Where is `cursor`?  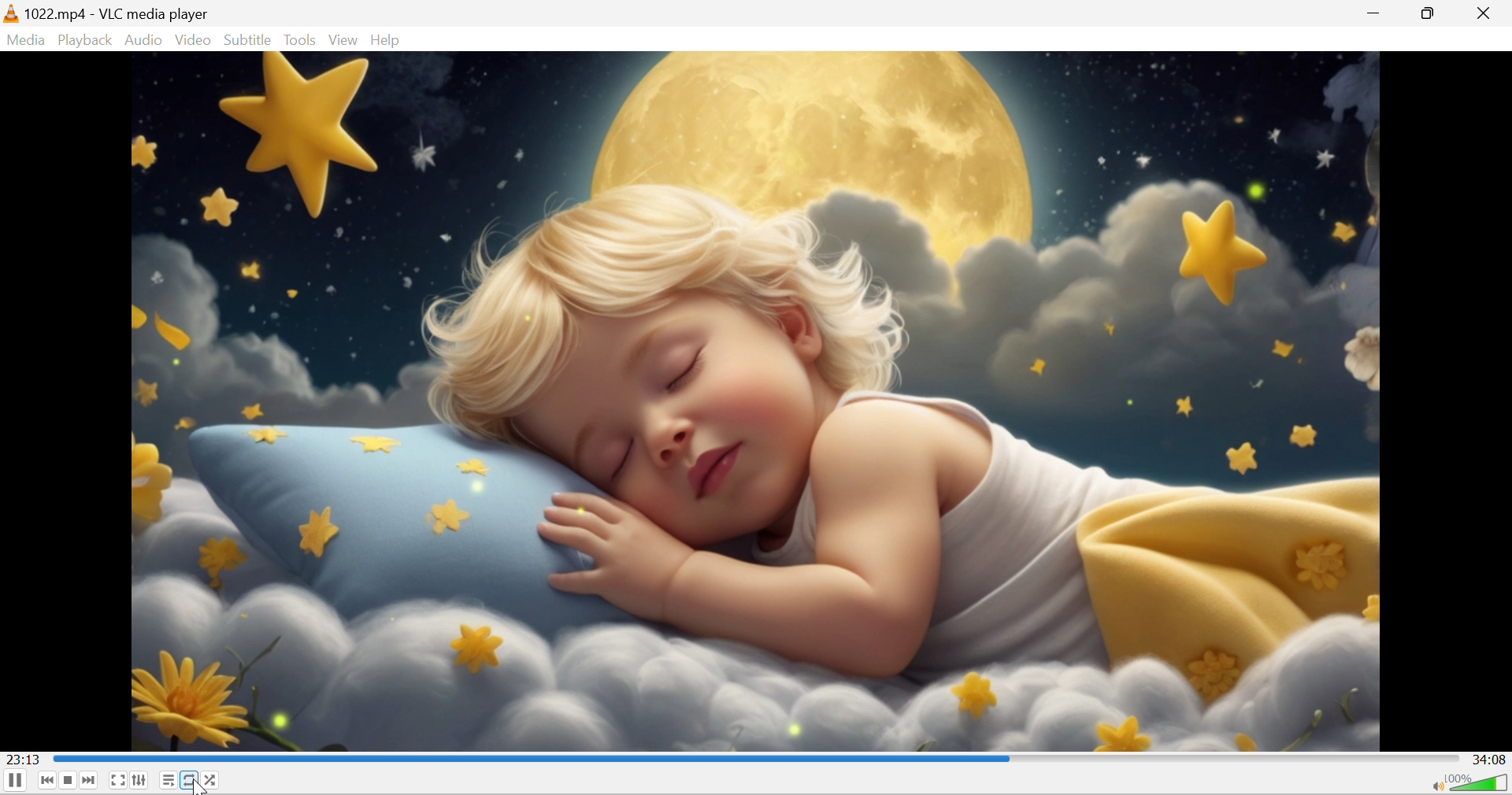 cursor is located at coordinates (198, 785).